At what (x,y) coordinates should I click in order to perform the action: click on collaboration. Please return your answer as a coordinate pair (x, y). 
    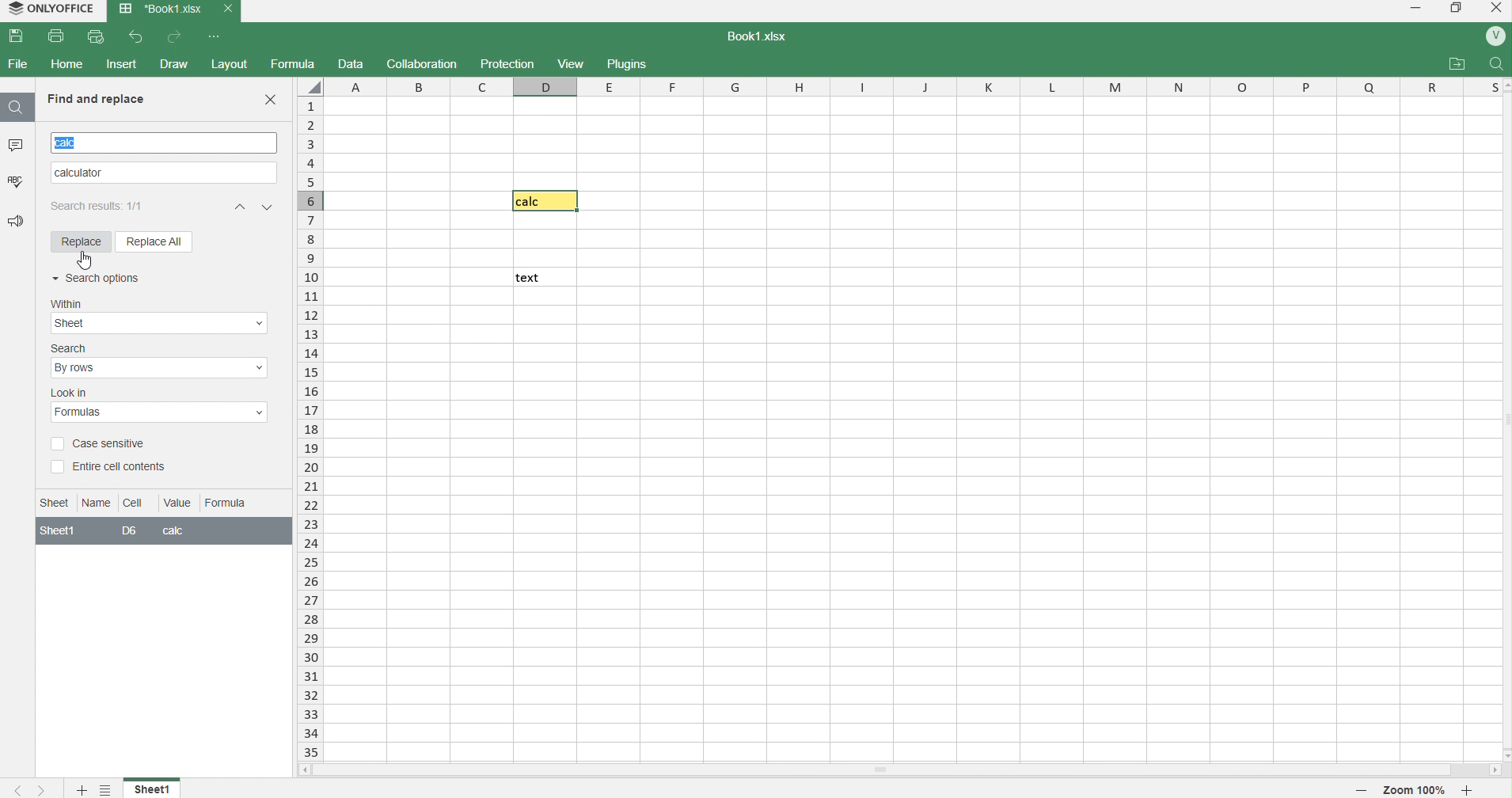
    Looking at the image, I should click on (424, 63).